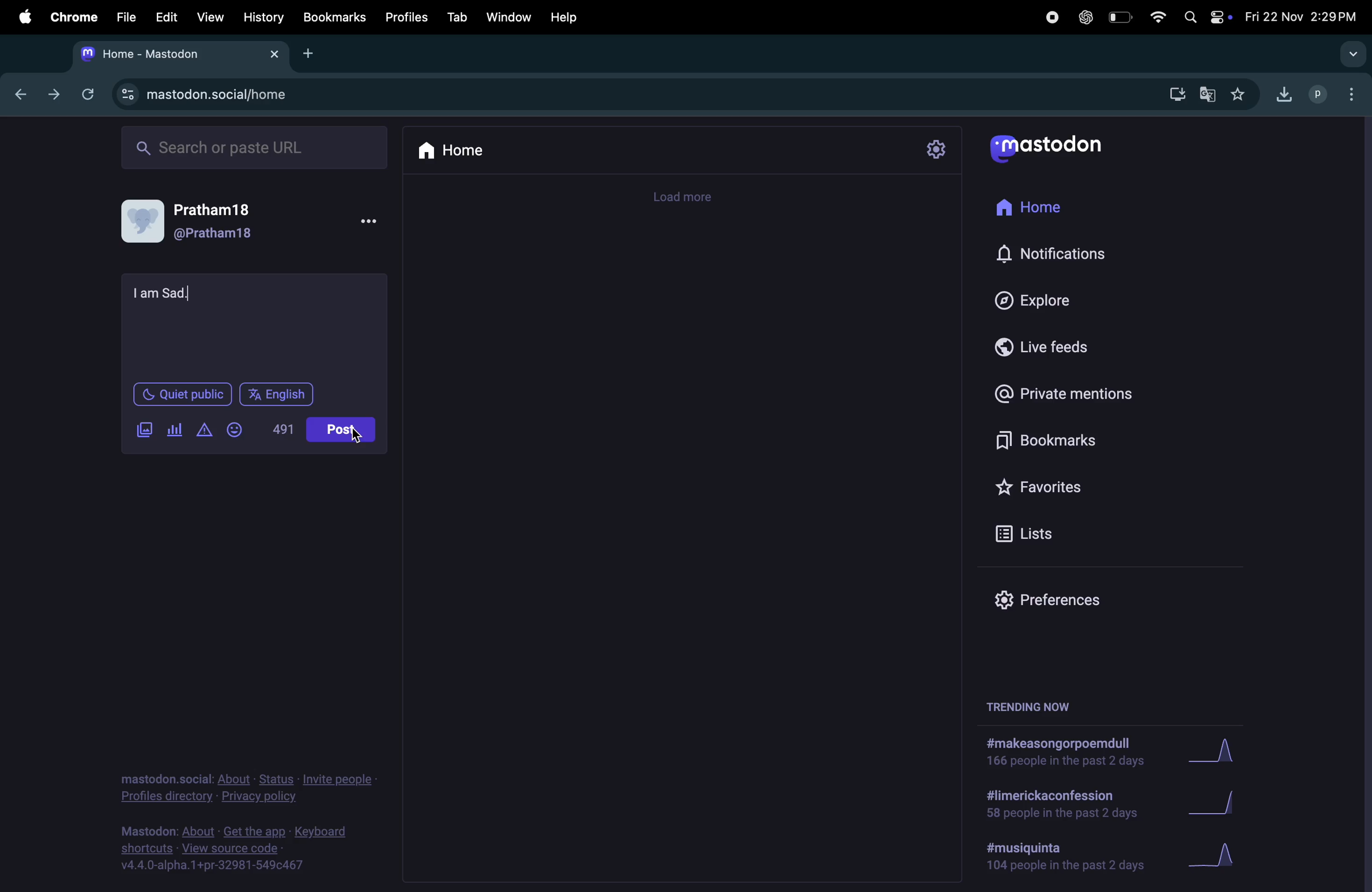 This screenshot has height=892, width=1372. Describe the element at coordinates (174, 429) in the screenshot. I see `polls` at that location.